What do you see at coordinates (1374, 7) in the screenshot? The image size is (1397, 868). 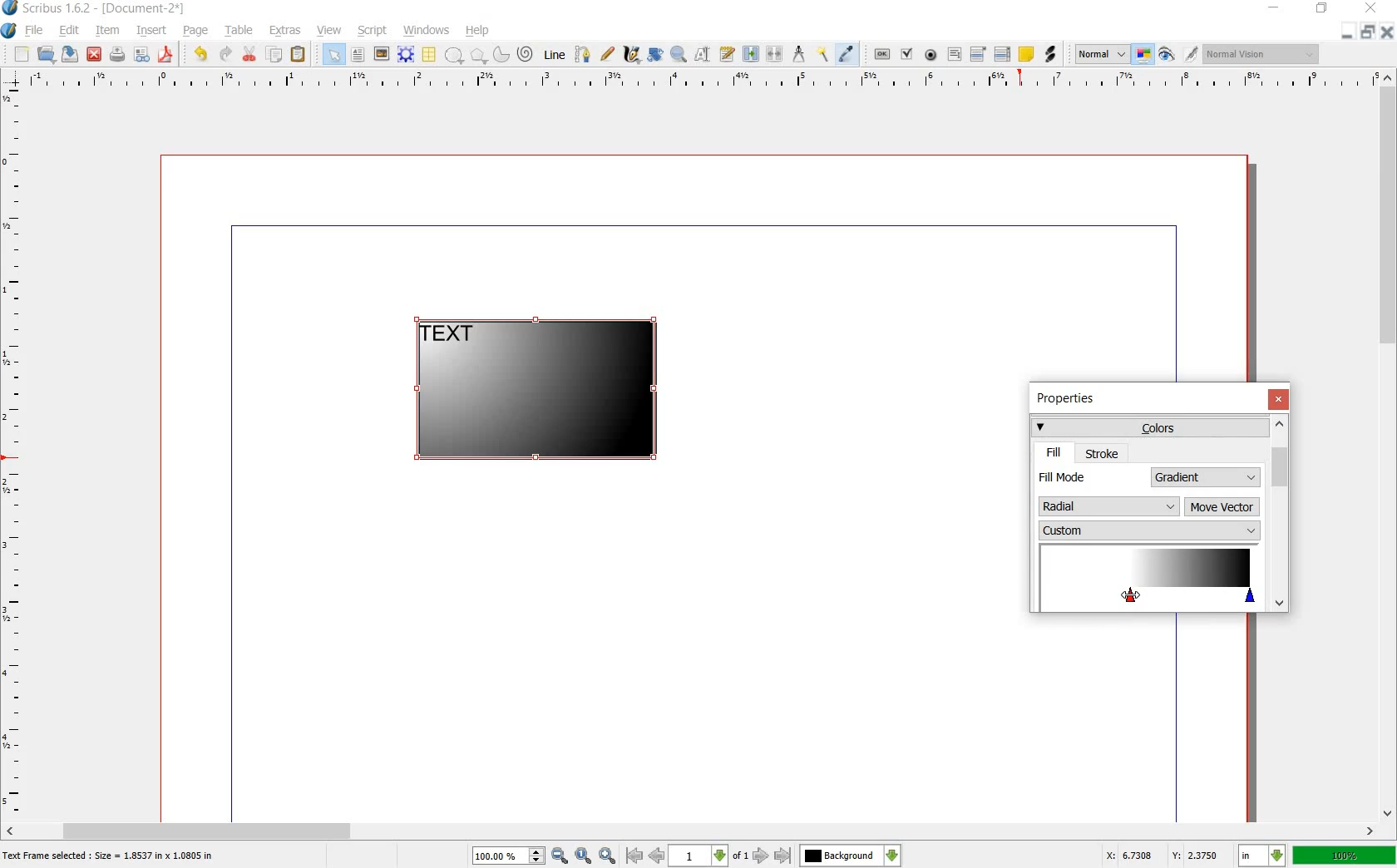 I see `close` at bounding box center [1374, 7].